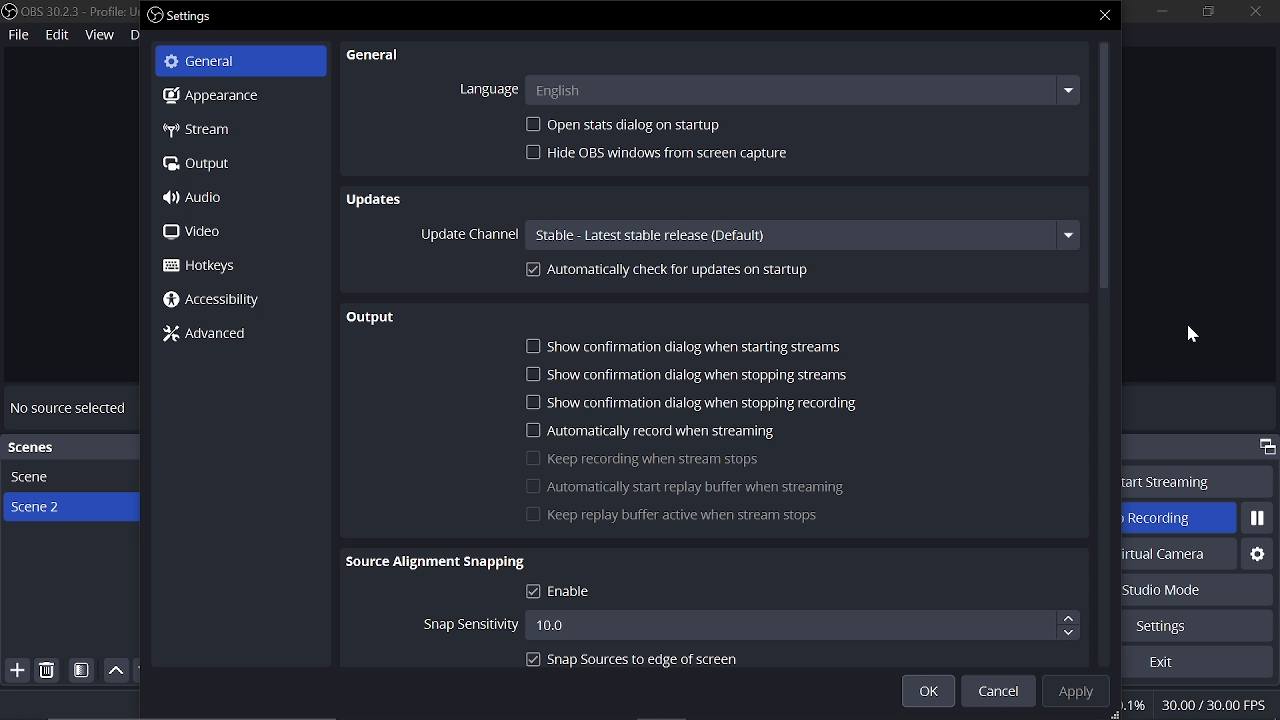 Image resolution: width=1280 pixels, height=720 pixels. What do you see at coordinates (1105, 15) in the screenshot?
I see `close` at bounding box center [1105, 15].